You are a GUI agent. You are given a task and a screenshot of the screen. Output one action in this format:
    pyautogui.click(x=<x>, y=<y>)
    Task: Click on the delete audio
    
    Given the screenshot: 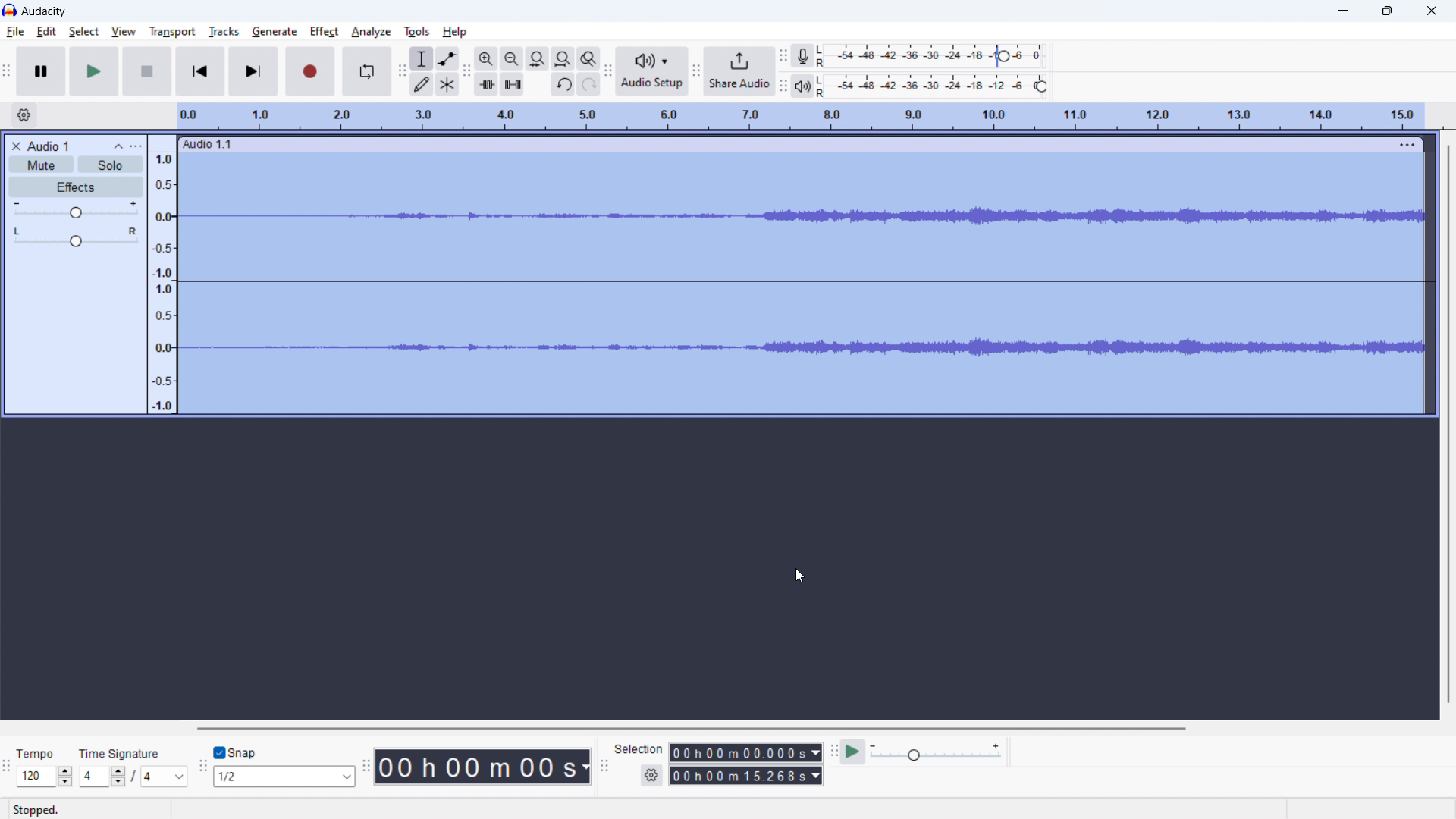 What is the action you would take?
    pyautogui.click(x=14, y=146)
    